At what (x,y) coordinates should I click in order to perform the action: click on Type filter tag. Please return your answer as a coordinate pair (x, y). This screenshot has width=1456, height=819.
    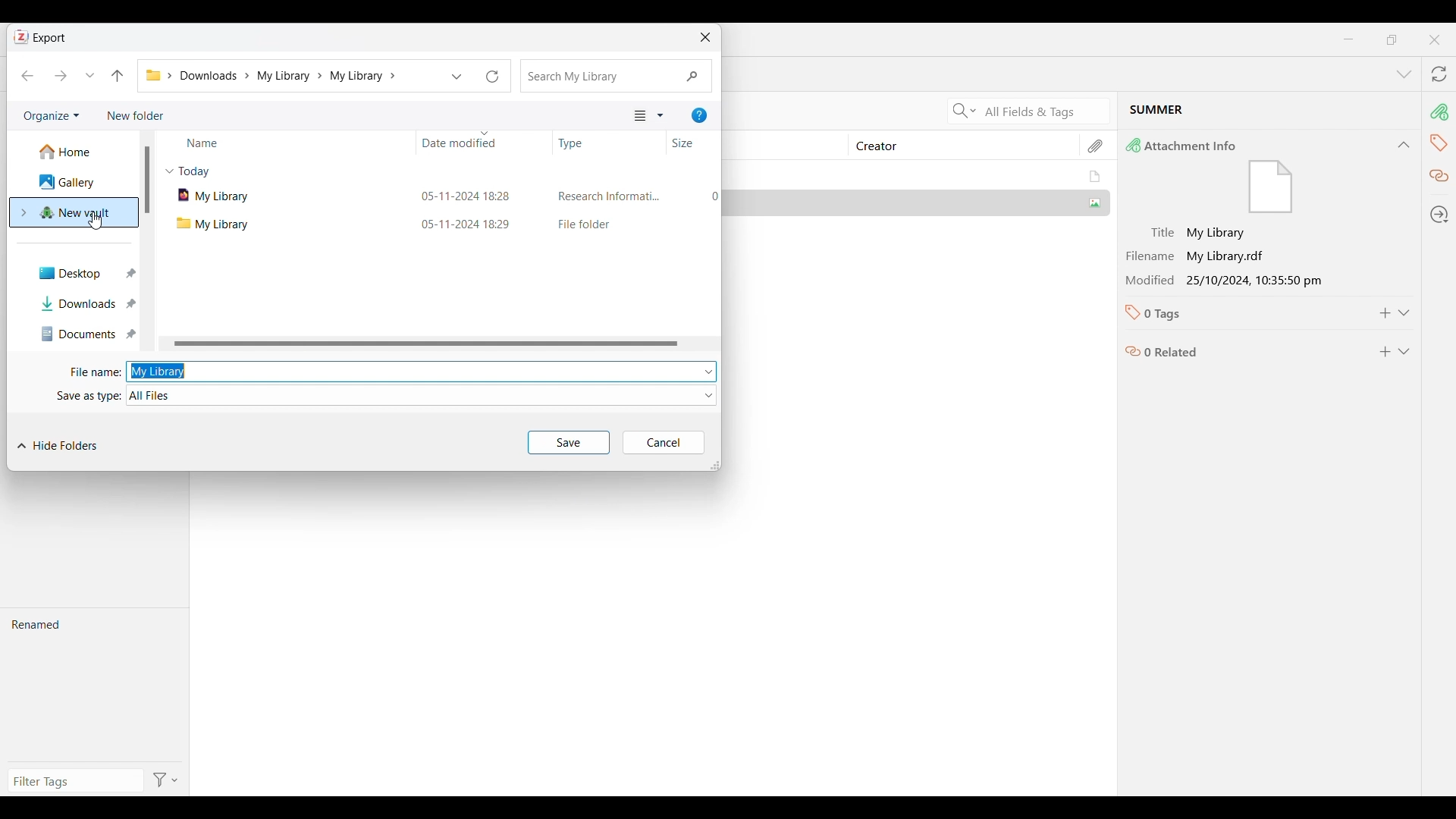
    Looking at the image, I should click on (73, 781).